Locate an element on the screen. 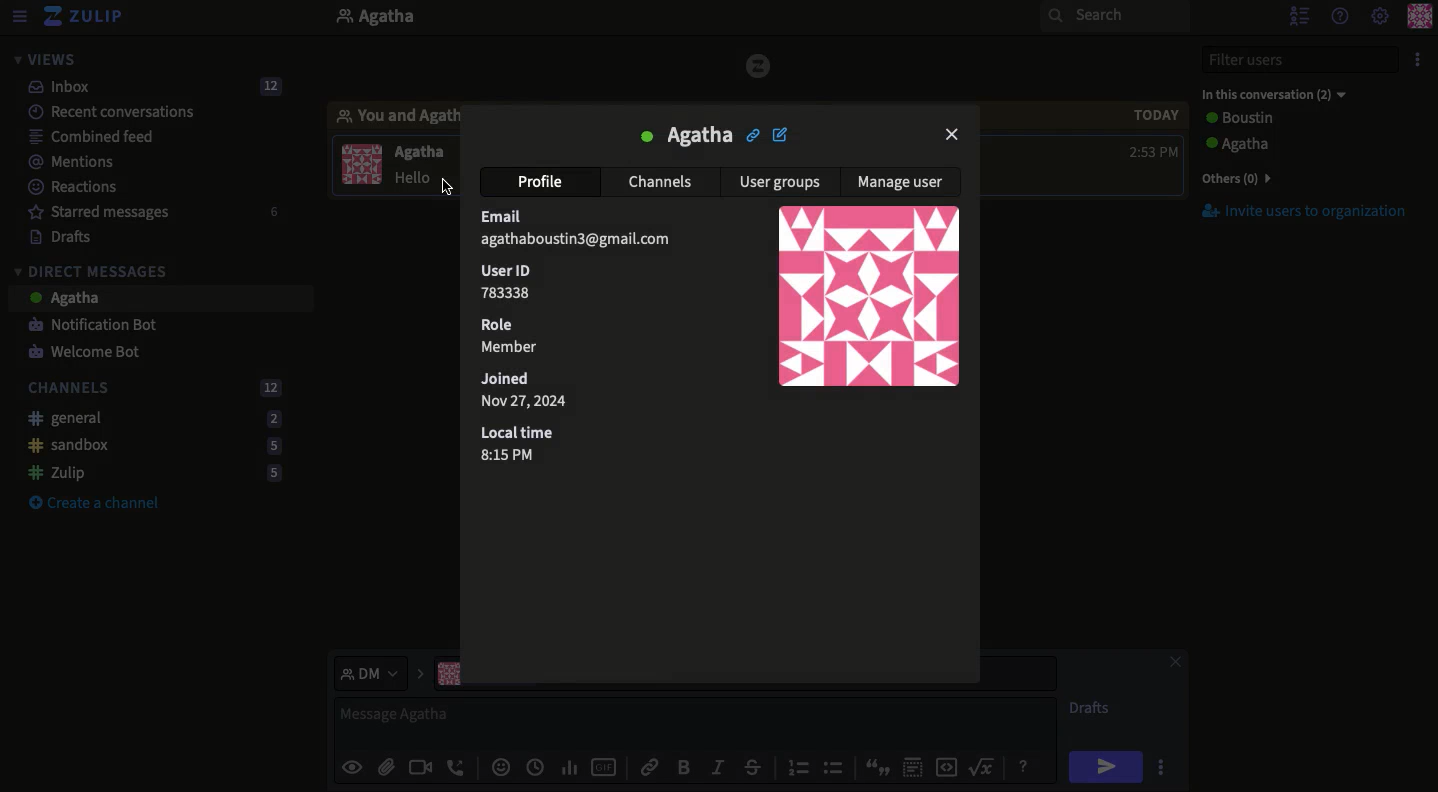  Channels is located at coordinates (664, 183).